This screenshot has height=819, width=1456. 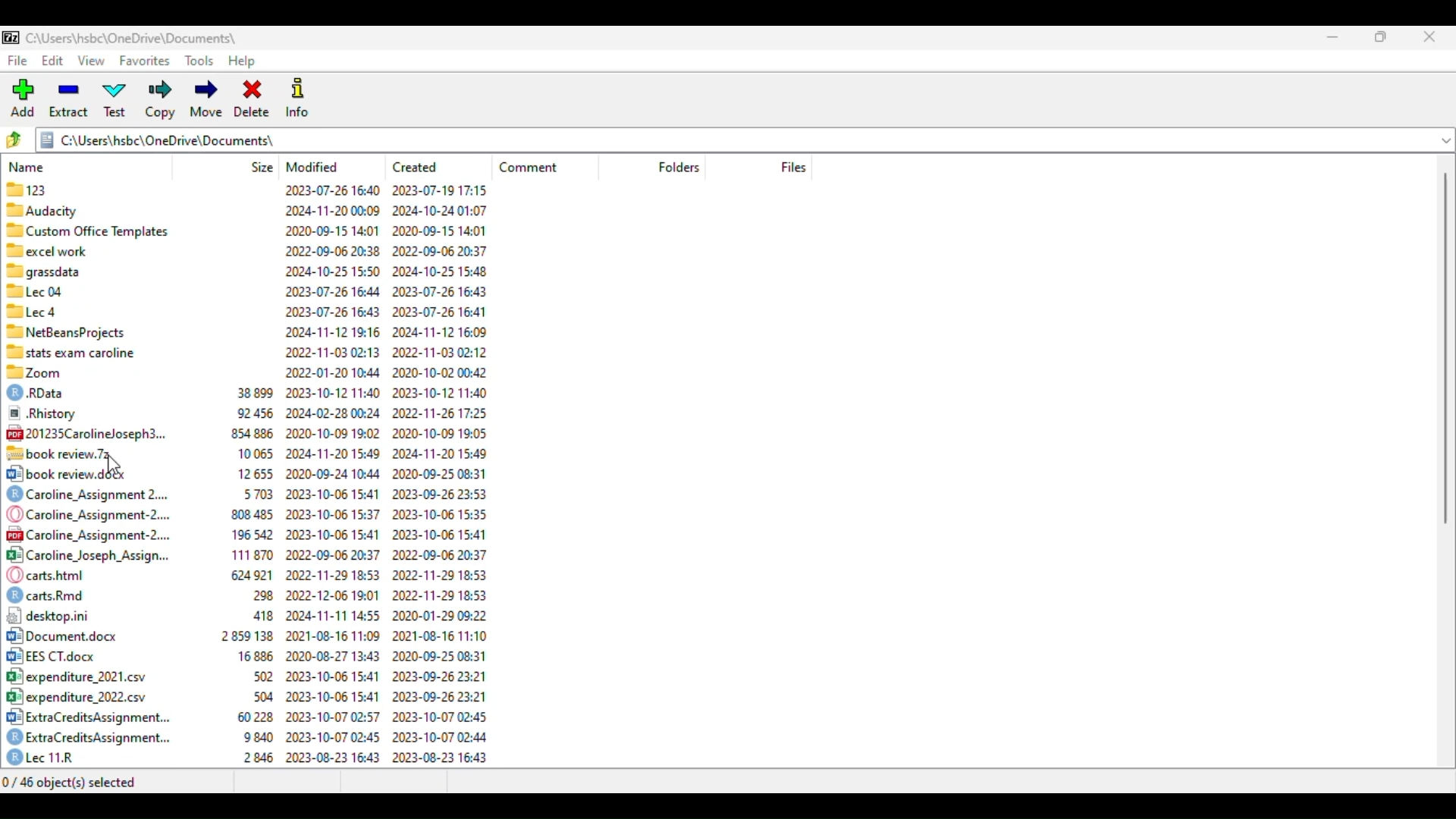 I want to click on vertical scroll bar, so click(x=1445, y=347).